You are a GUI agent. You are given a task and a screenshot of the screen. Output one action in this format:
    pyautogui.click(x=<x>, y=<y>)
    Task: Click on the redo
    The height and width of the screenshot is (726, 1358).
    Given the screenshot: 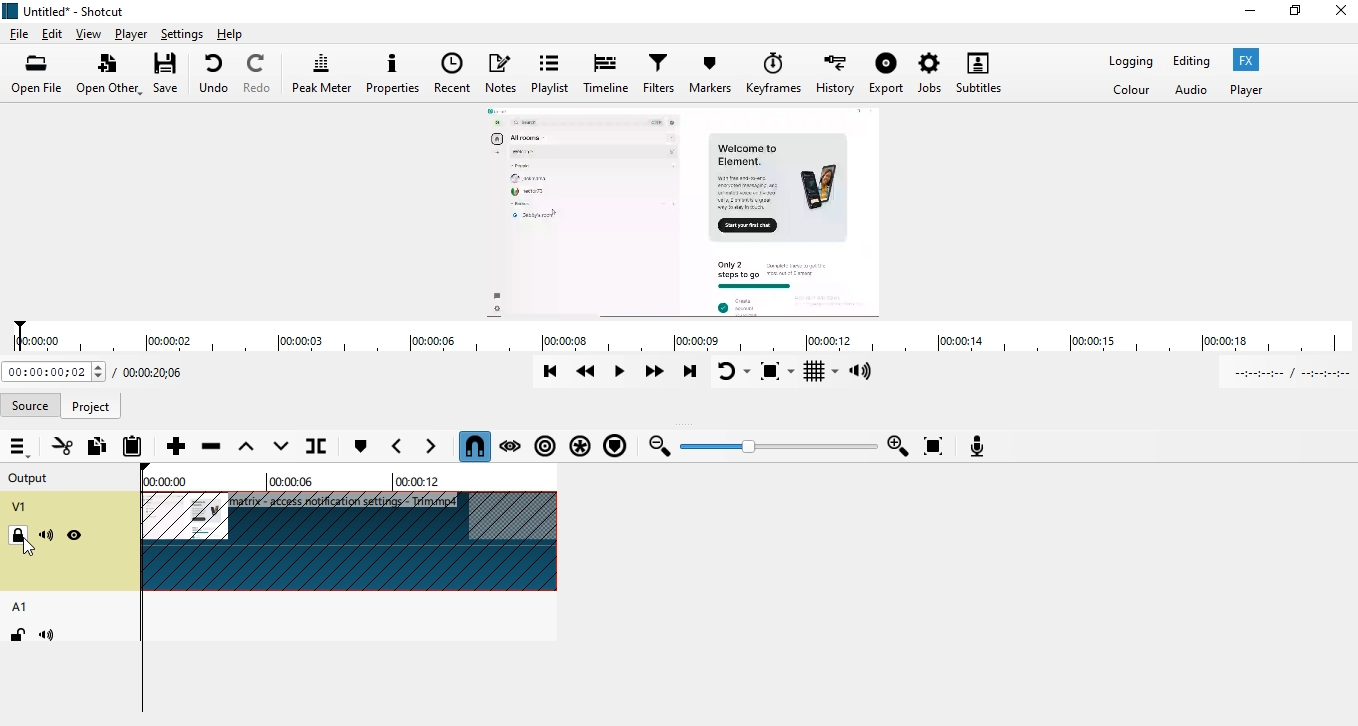 What is the action you would take?
    pyautogui.click(x=258, y=74)
    